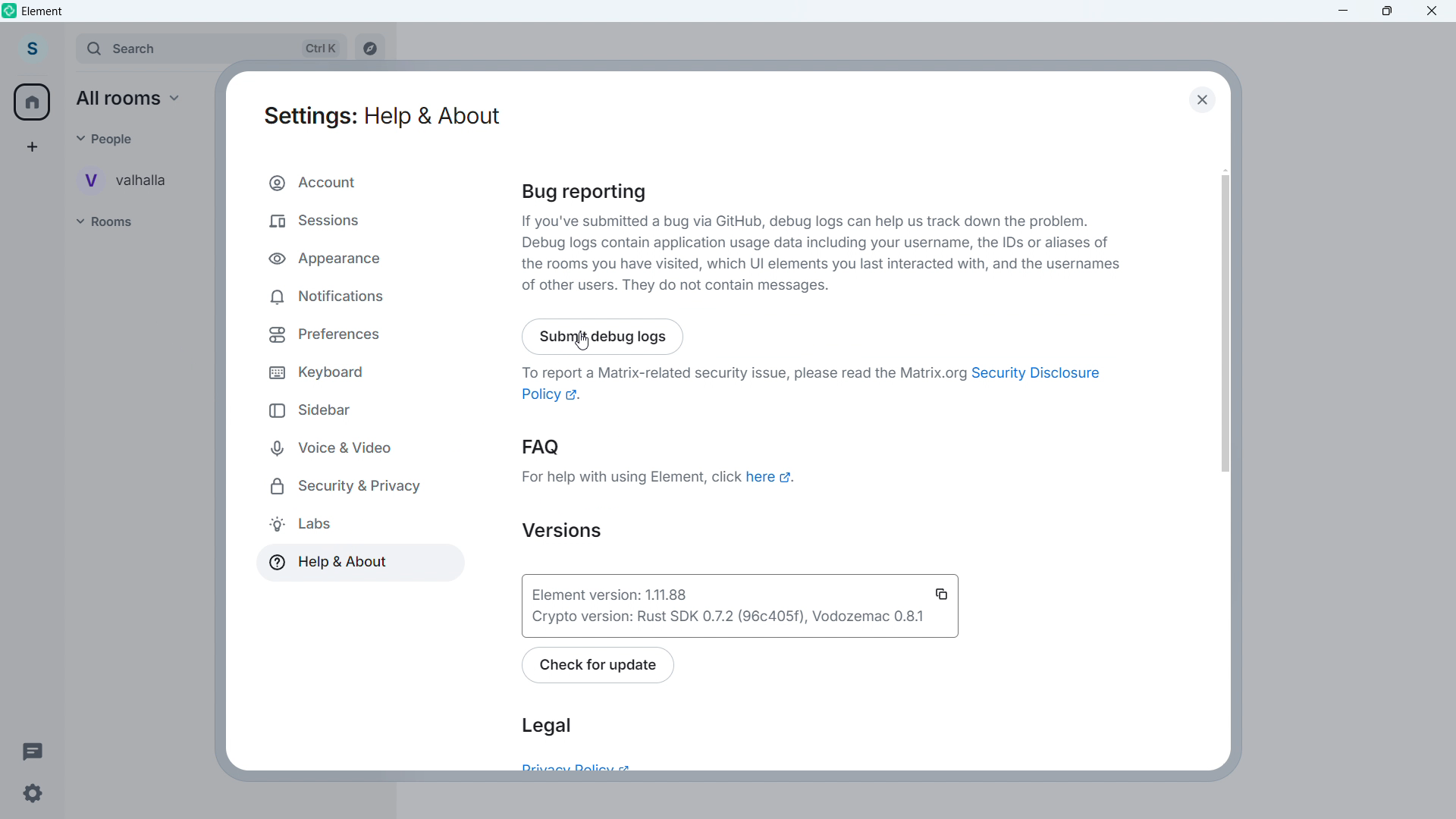 Image resolution: width=1456 pixels, height=819 pixels. Describe the element at coordinates (118, 222) in the screenshot. I see `Rooms ` at that location.